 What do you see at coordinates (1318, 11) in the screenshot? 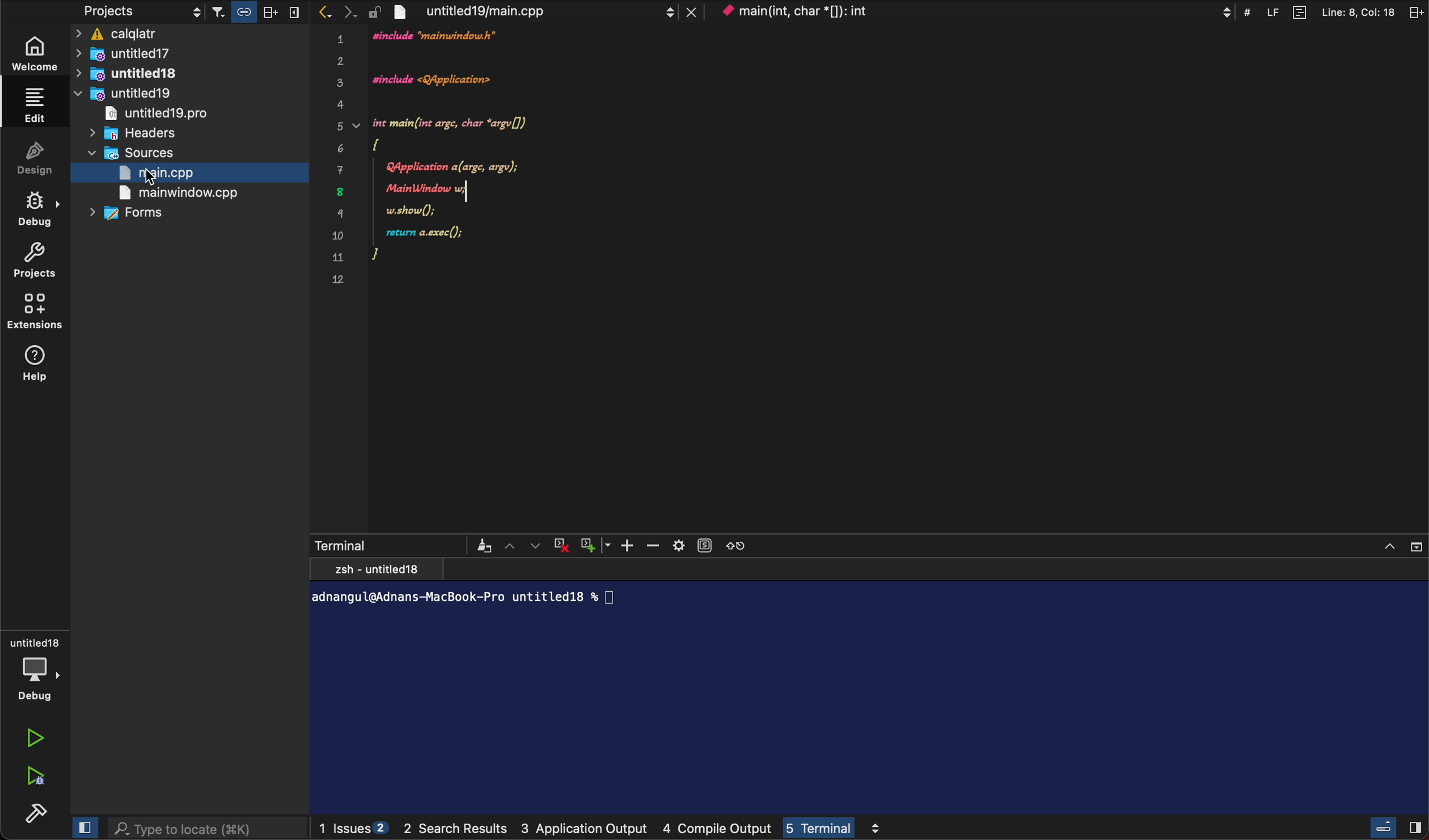
I see `file information` at bounding box center [1318, 11].